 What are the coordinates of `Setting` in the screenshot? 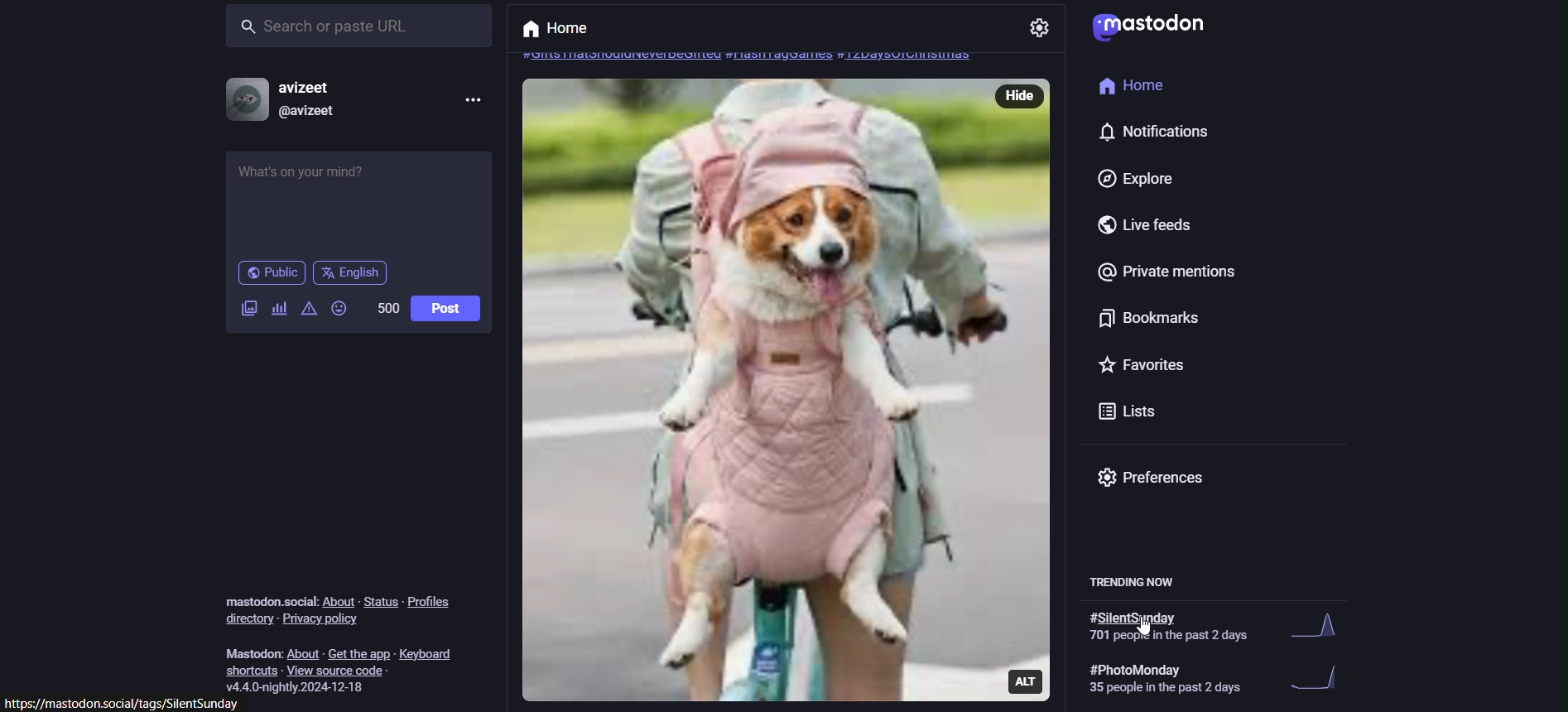 It's located at (1041, 29).